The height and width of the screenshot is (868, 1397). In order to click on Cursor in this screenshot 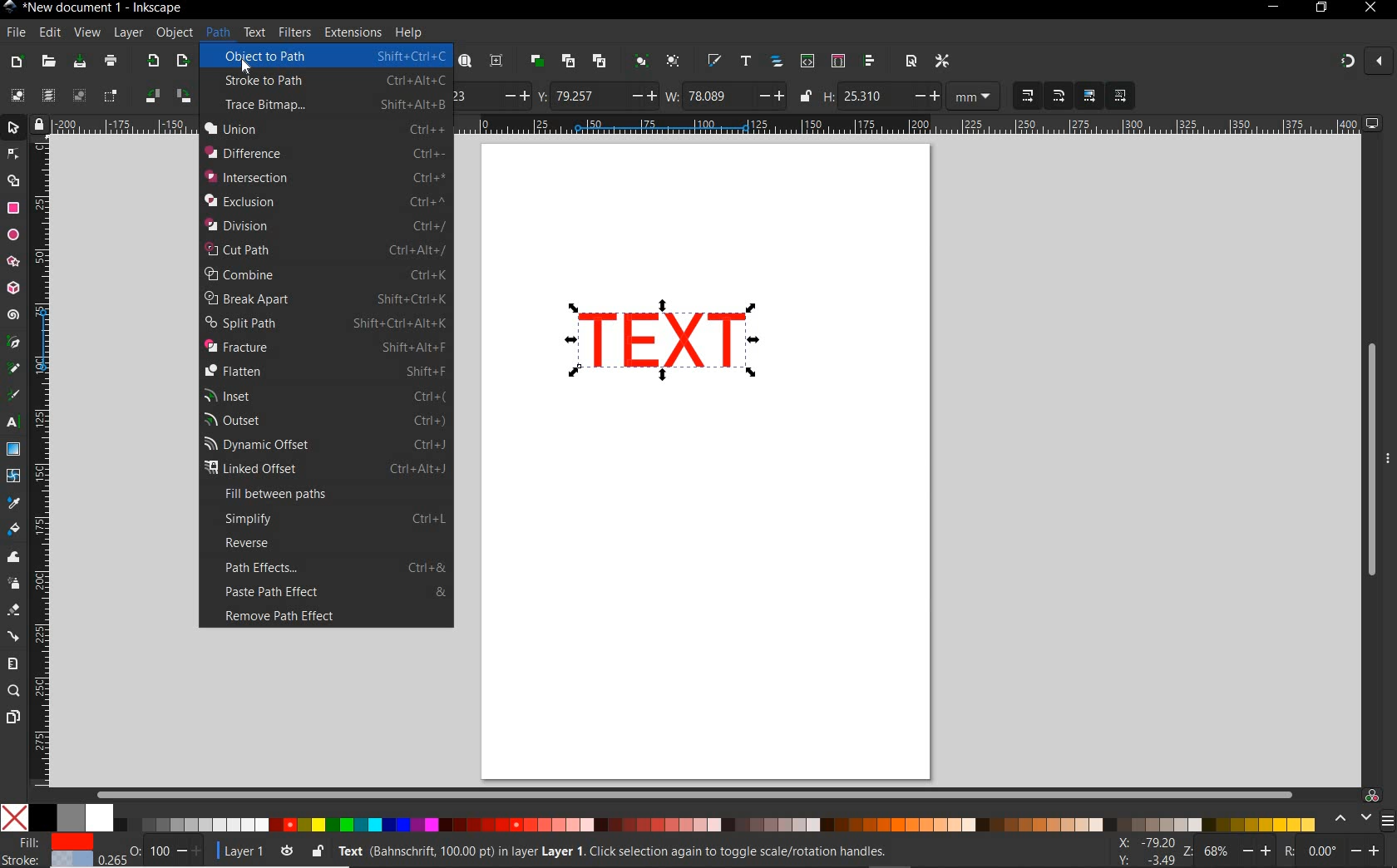, I will do `click(254, 68)`.